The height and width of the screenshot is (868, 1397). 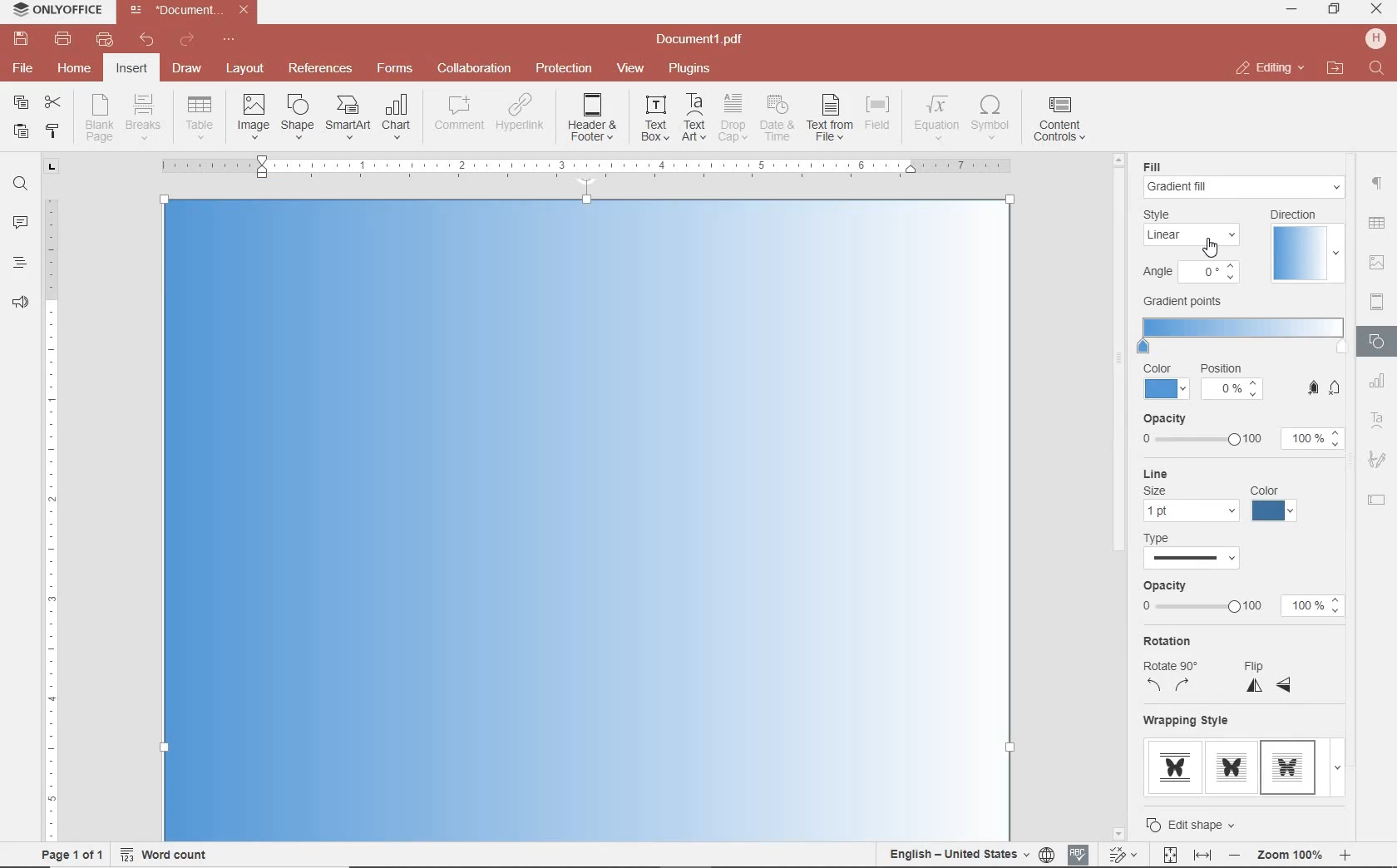 What do you see at coordinates (19, 39) in the screenshot?
I see `save` at bounding box center [19, 39].